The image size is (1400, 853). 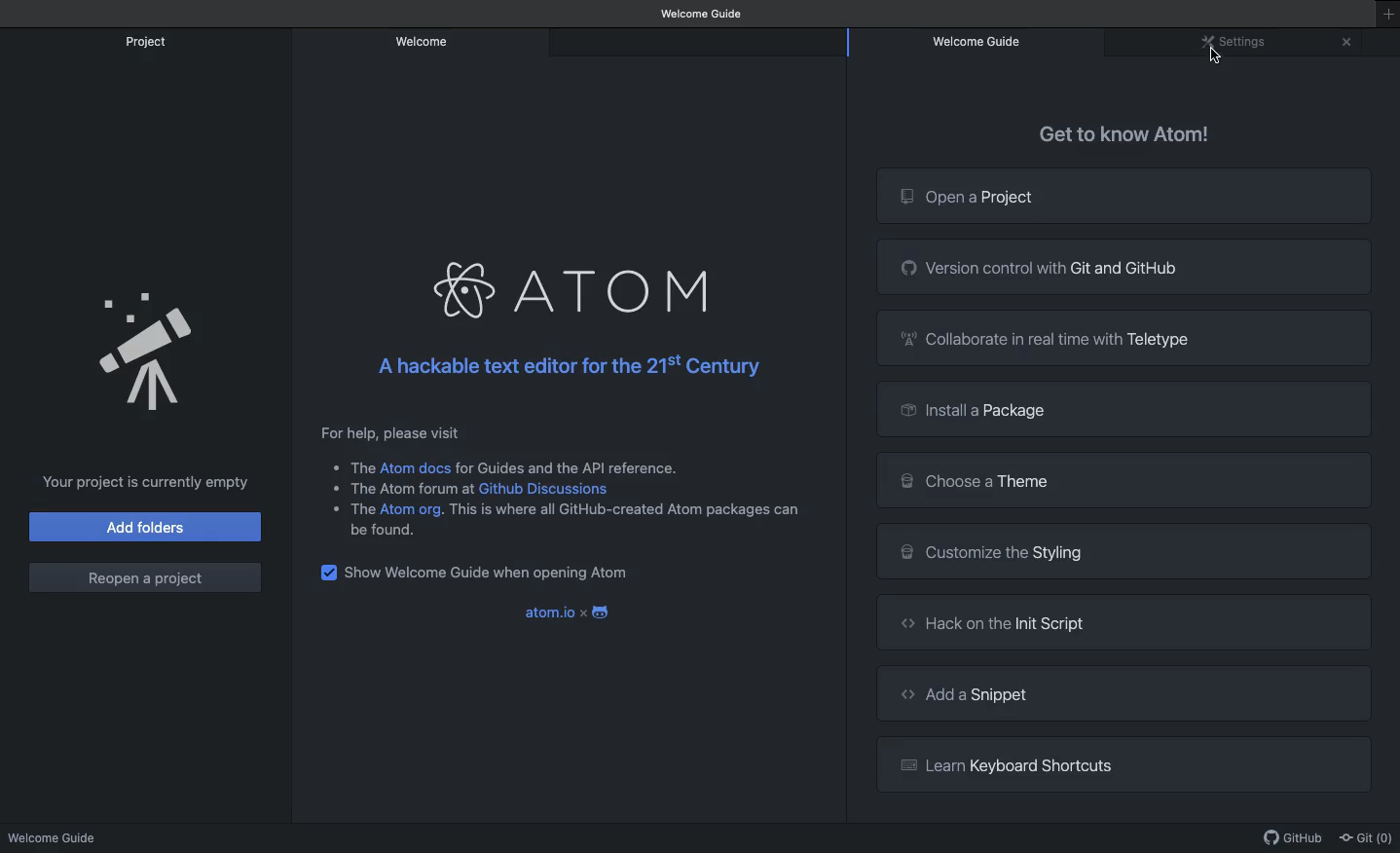 I want to click on Show welcome guide when opening Atom, so click(x=490, y=573).